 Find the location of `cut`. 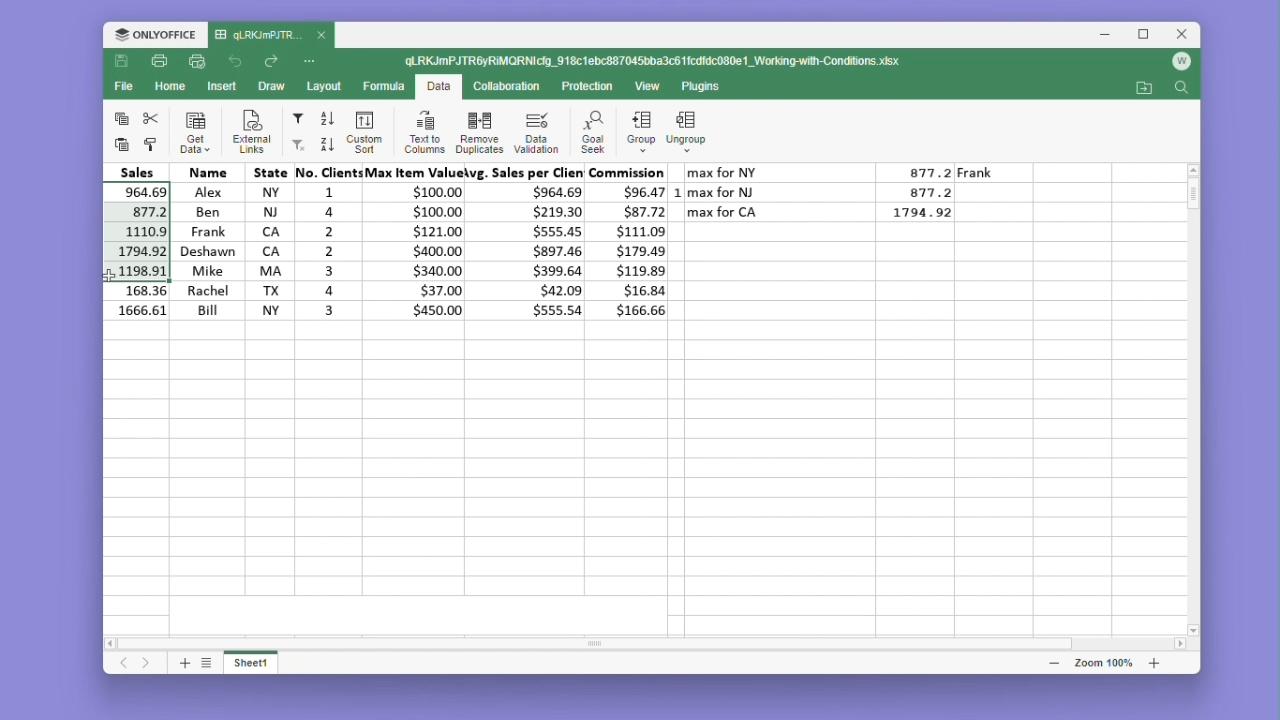

cut is located at coordinates (151, 118).